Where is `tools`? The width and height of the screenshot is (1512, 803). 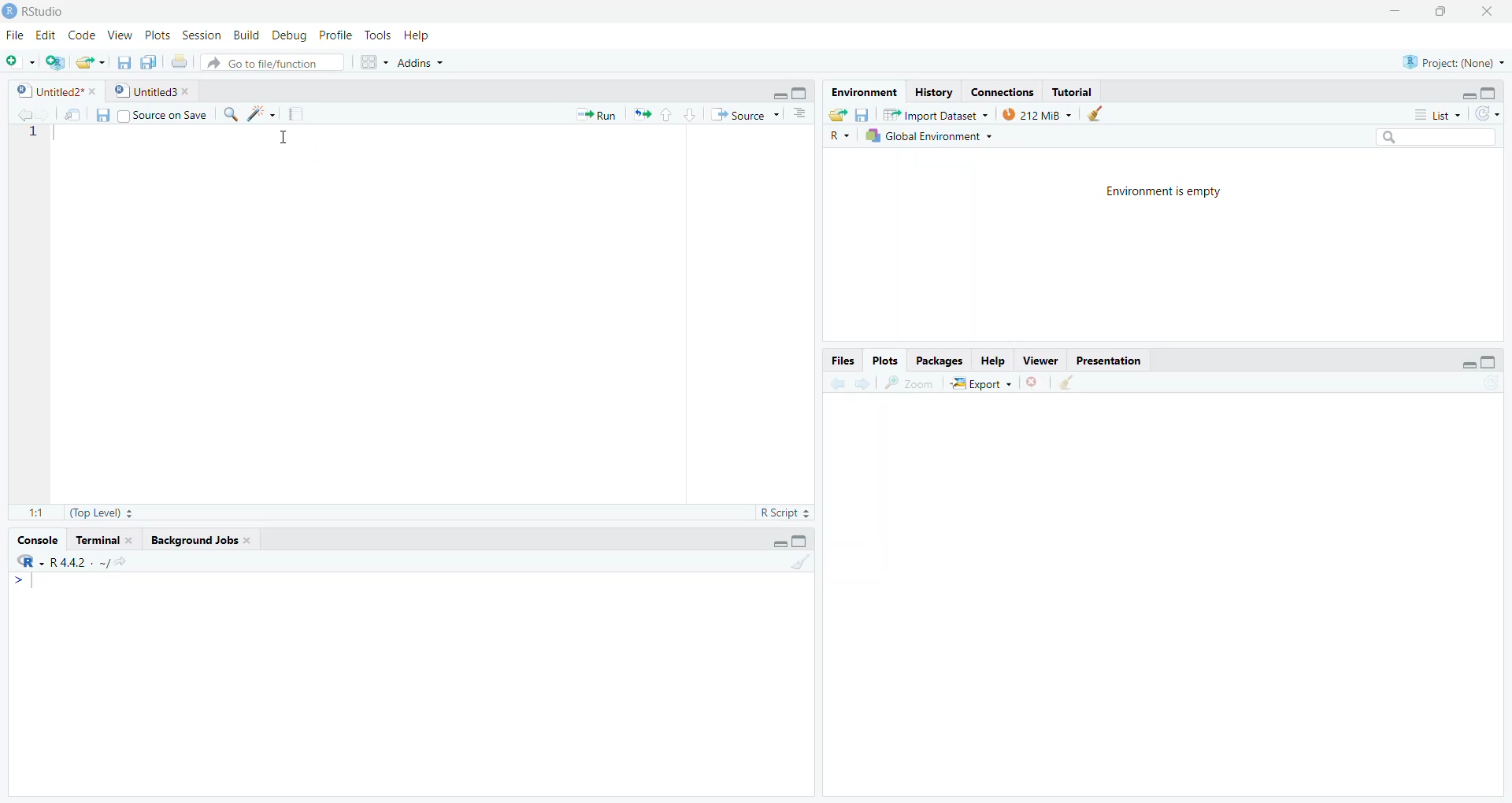 tools is located at coordinates (377, 36).